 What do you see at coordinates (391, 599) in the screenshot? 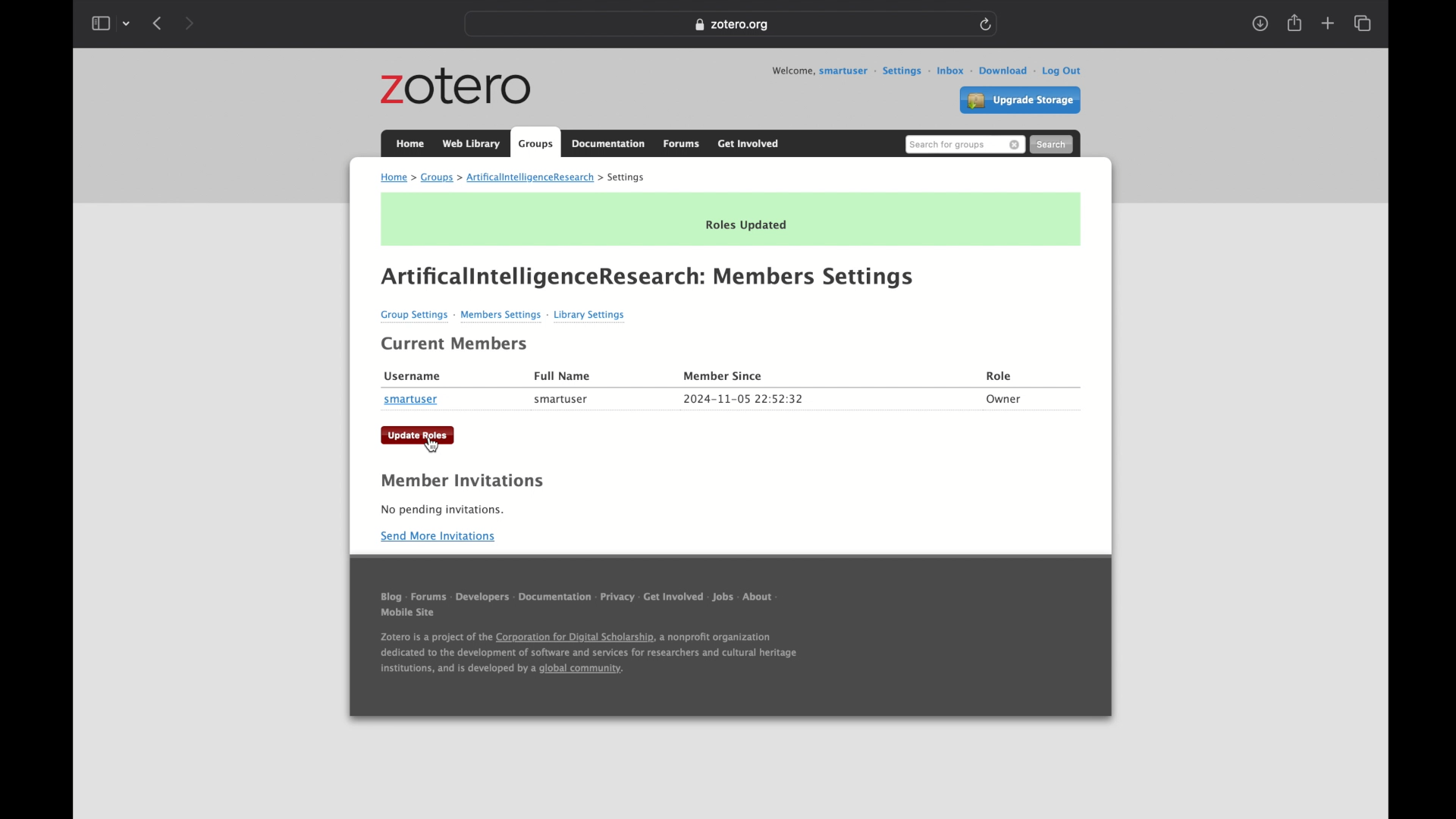
I see `blog` at bounding box center [391, 599].